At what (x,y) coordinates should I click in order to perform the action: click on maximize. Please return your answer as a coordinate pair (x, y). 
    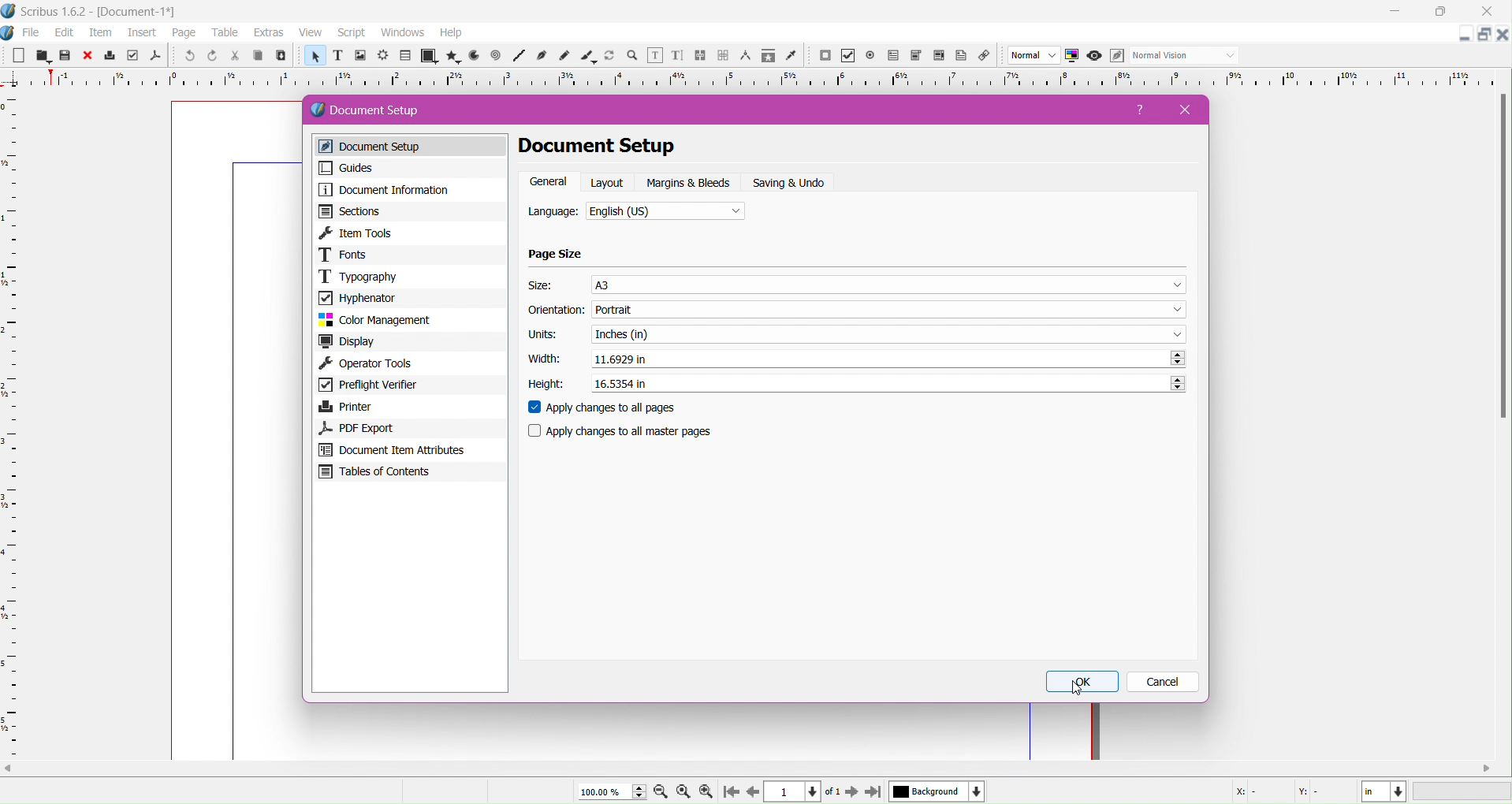
    Looking at the image, I should click on (1446, 12).